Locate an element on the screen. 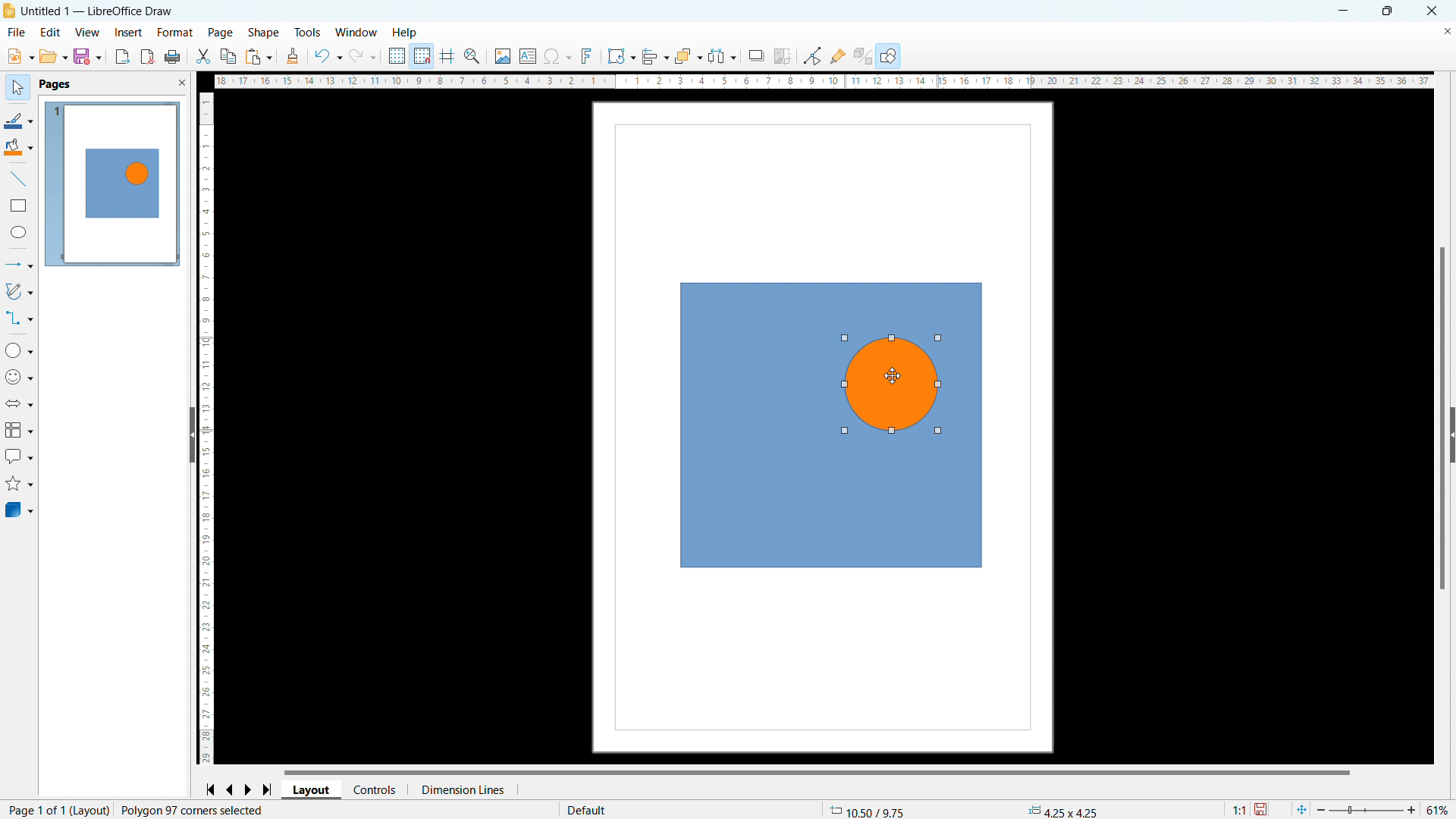 This screenshot has height=819, width=1456. redo is located at coordinates (362, 55).